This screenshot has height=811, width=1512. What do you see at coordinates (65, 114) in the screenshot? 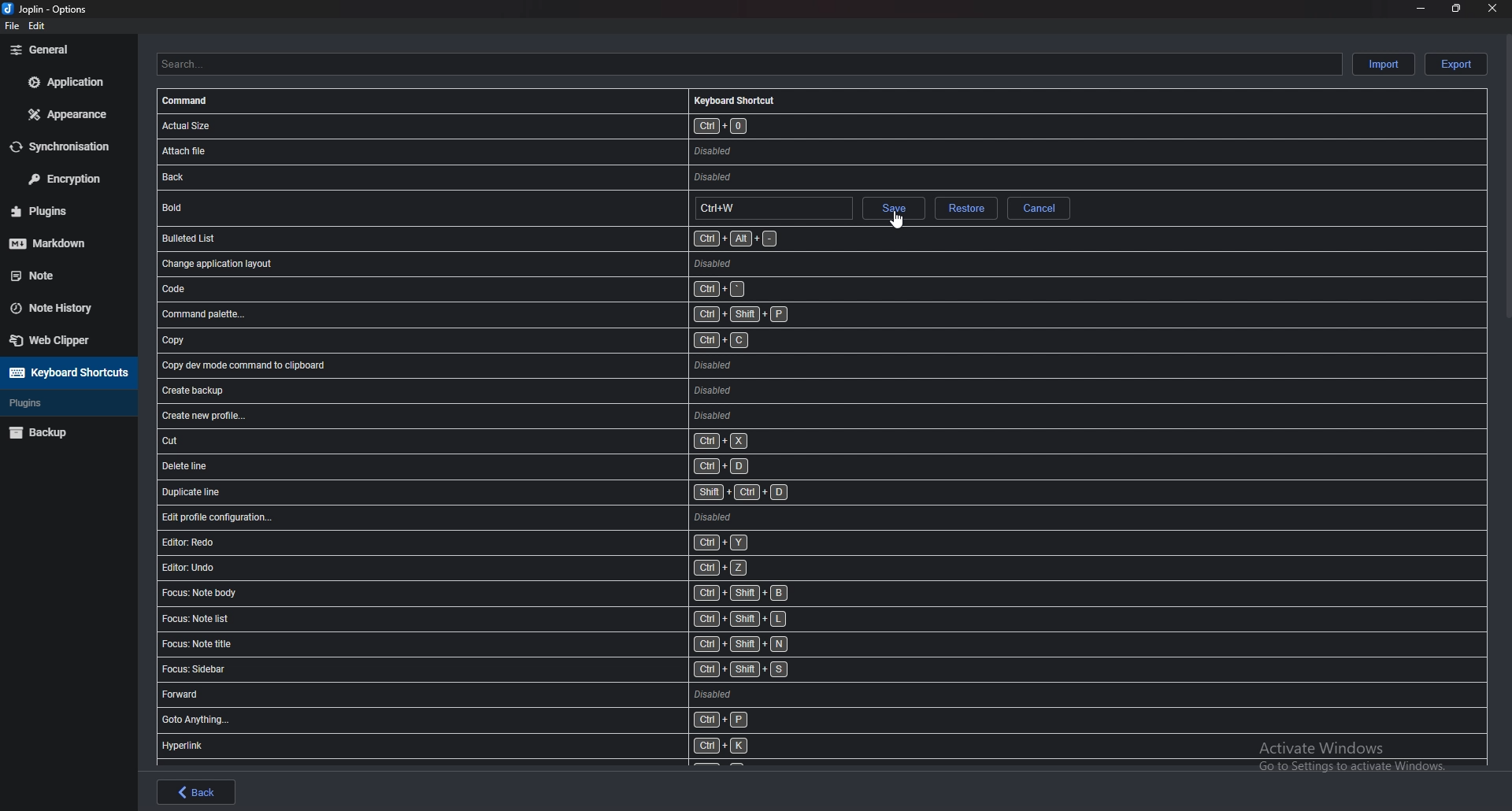
I see `Appearance` at bounding box center [65, 114].